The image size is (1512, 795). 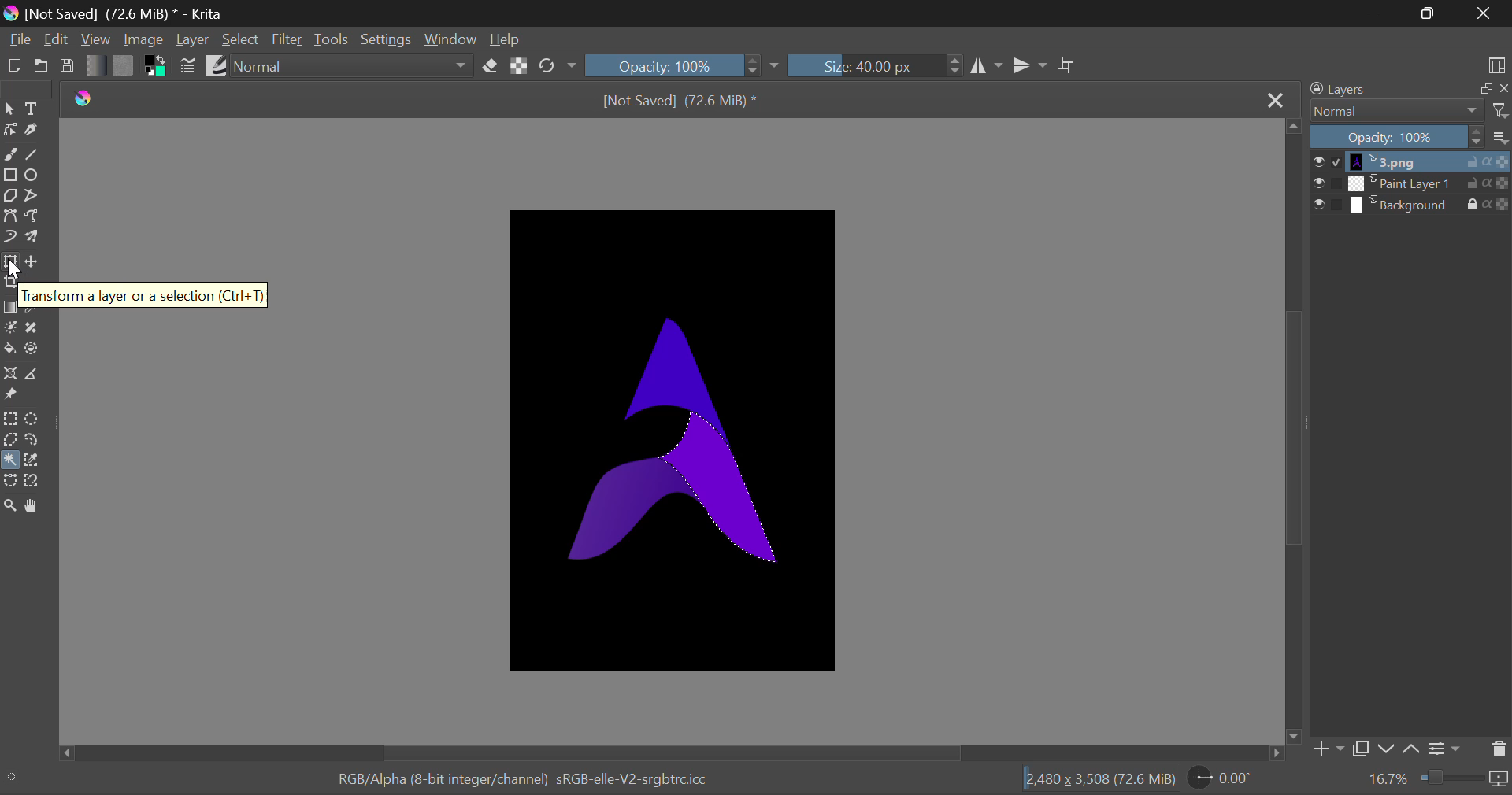 What do you see at coordinates (1445, 749) in the screenshot?
I see `Settings` at bounding box center [1445, 749].